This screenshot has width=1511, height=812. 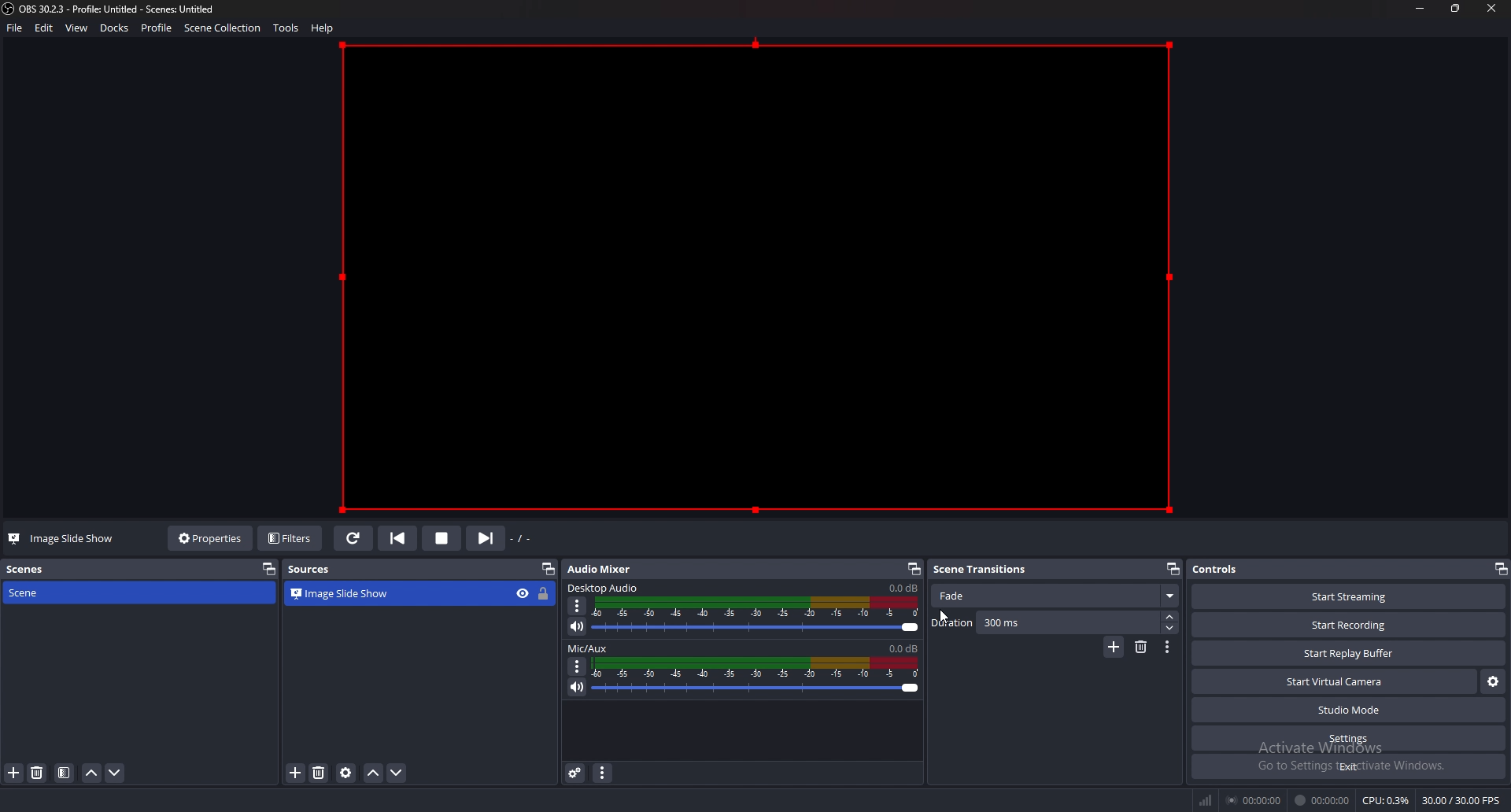 What do you see at coordinates (578, 686) in the screenshot?
I see `mute` at bounding box center [578, 686].